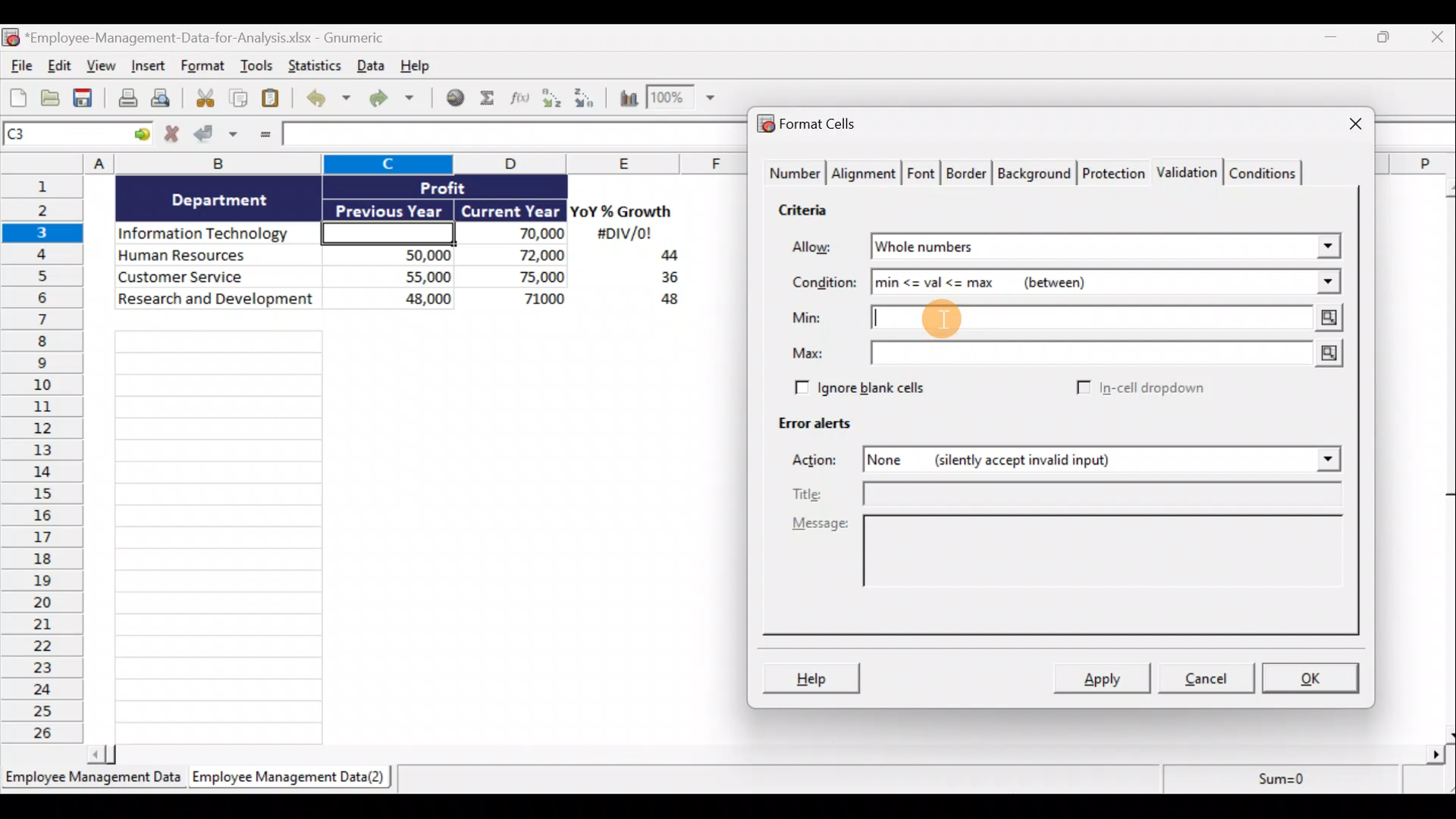  I want to click on Apply, so click(1103, 679).